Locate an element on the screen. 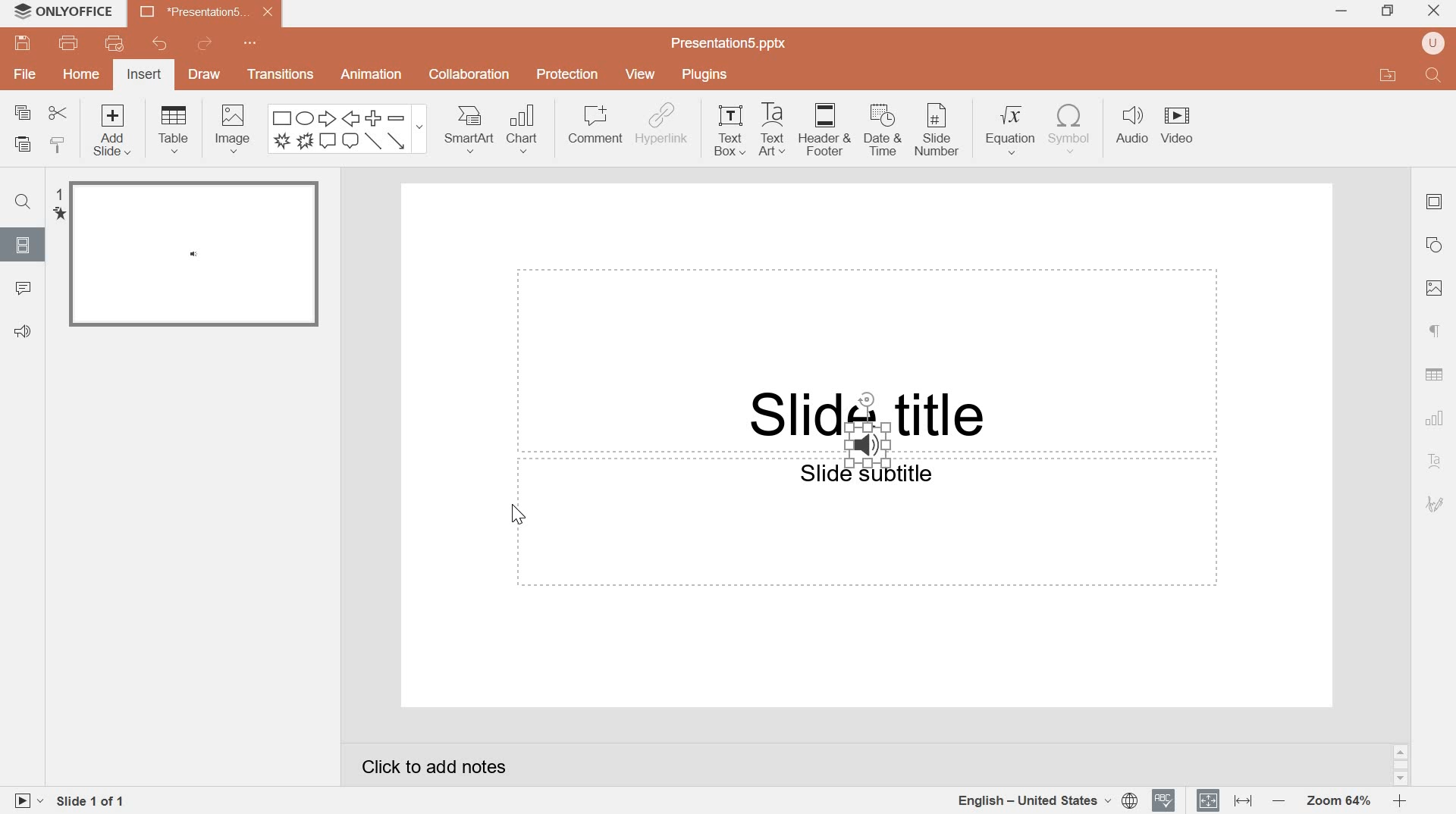 This screenshot has height=814, width=1456. Image is located at coordinates (1436, 288).